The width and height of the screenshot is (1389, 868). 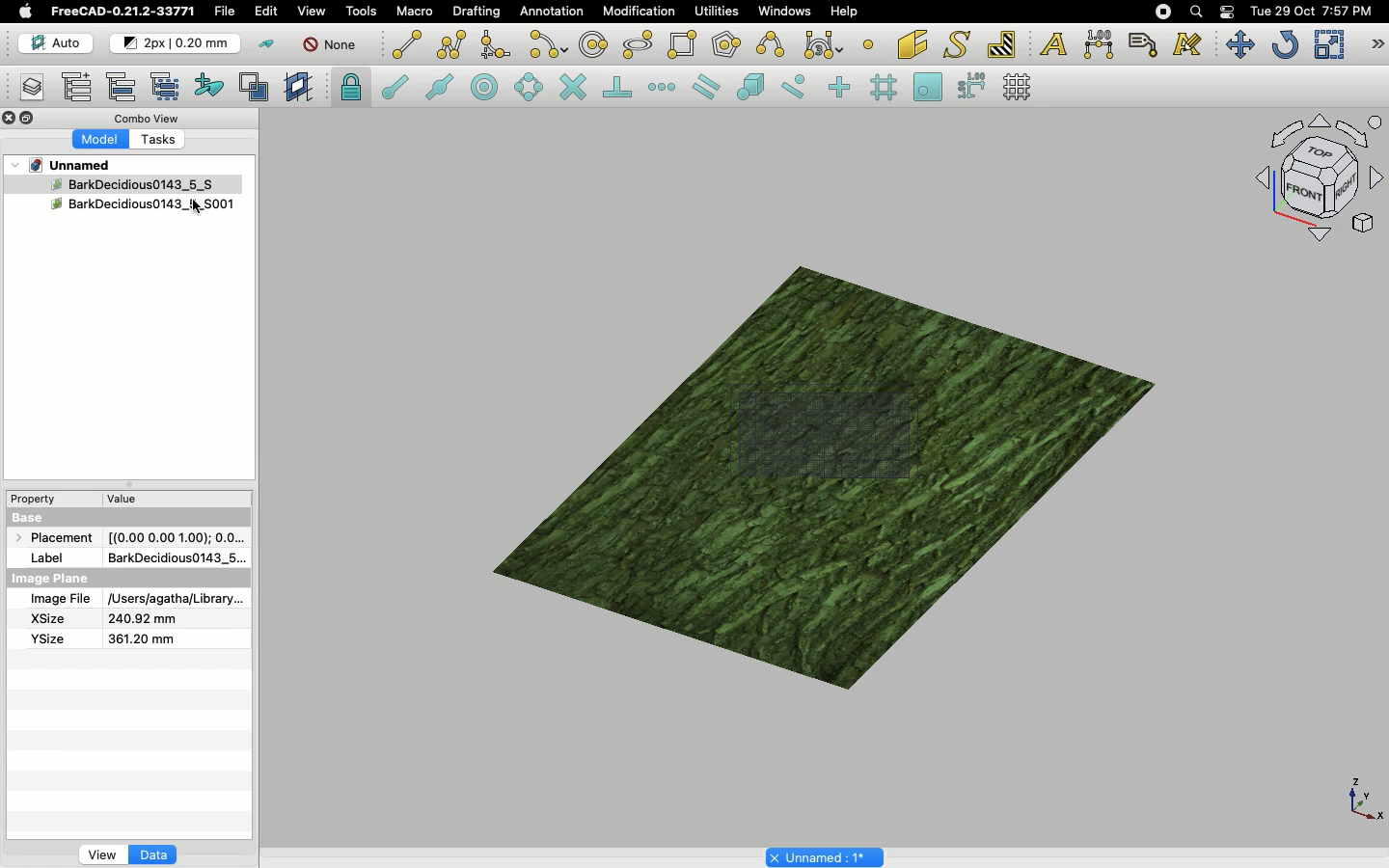 What do you see at coordinates (139, 638) in the screenshot?
I see `361.20 mm` at bounding box center [139, 638].